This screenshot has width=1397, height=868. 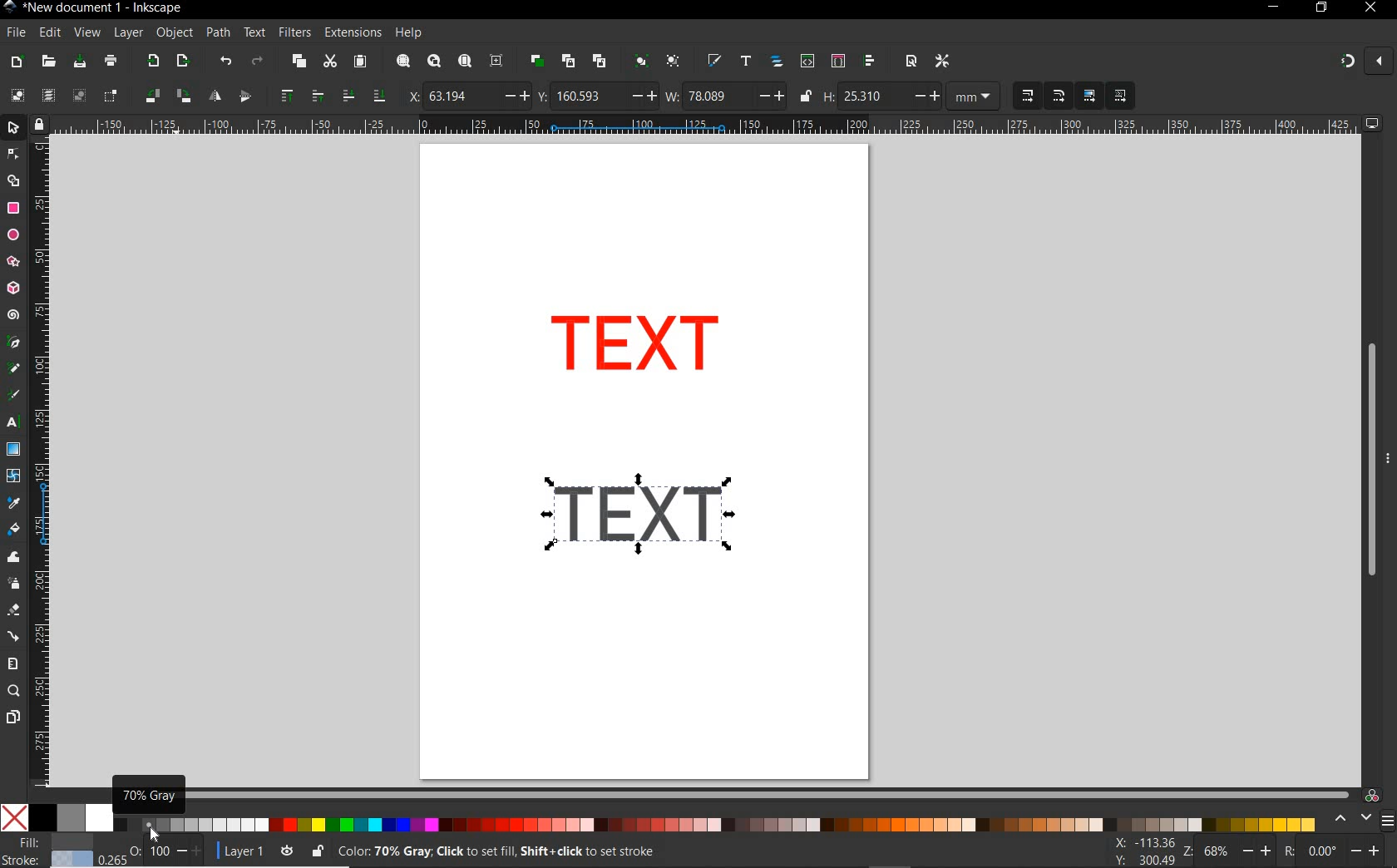 What do you see at coordinates (1090, 96) in the screenshot?
I see `MOVE GRADIENT` at bounding box center [1090, 96].